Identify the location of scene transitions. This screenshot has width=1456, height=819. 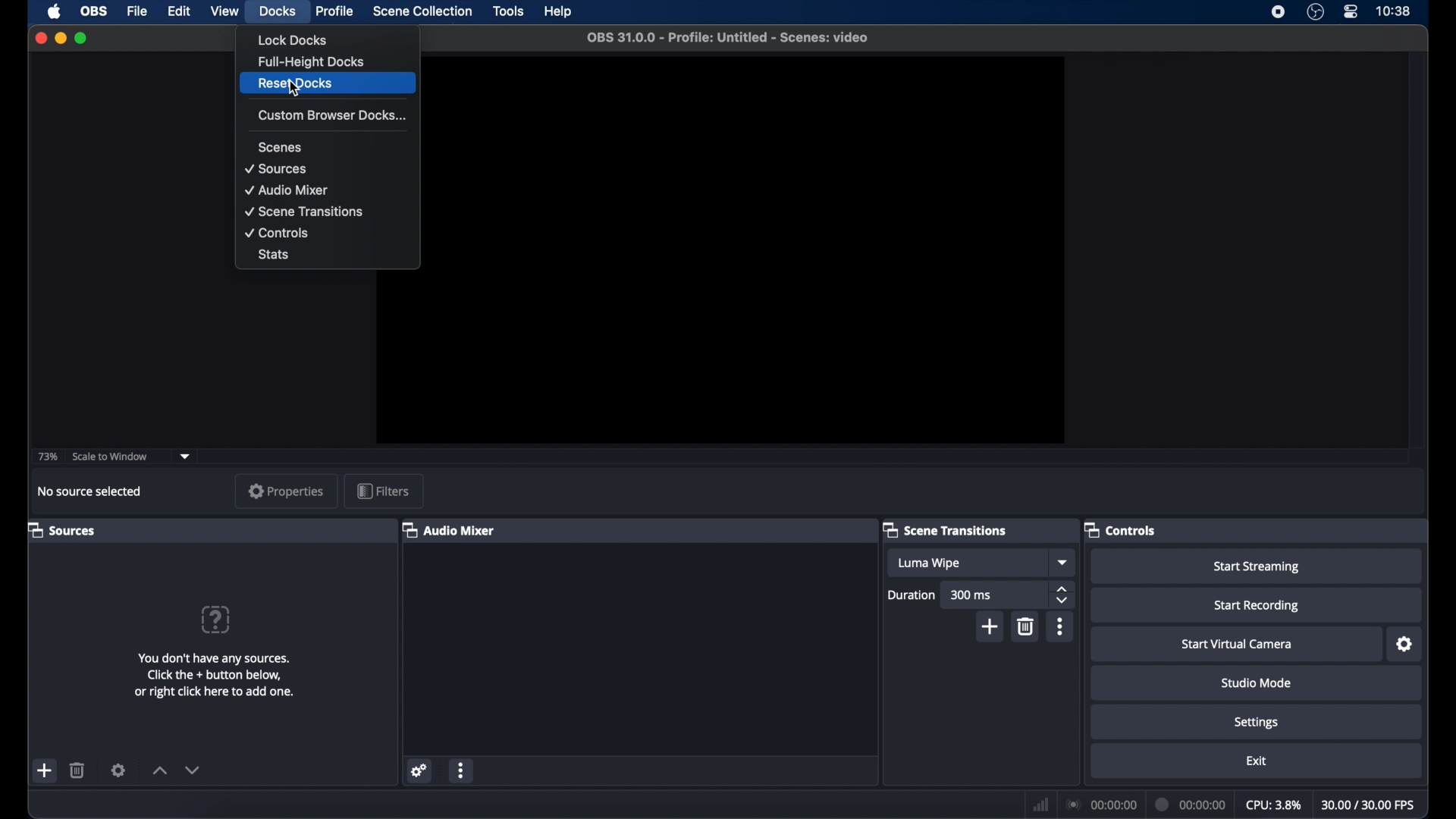
(305, 212).